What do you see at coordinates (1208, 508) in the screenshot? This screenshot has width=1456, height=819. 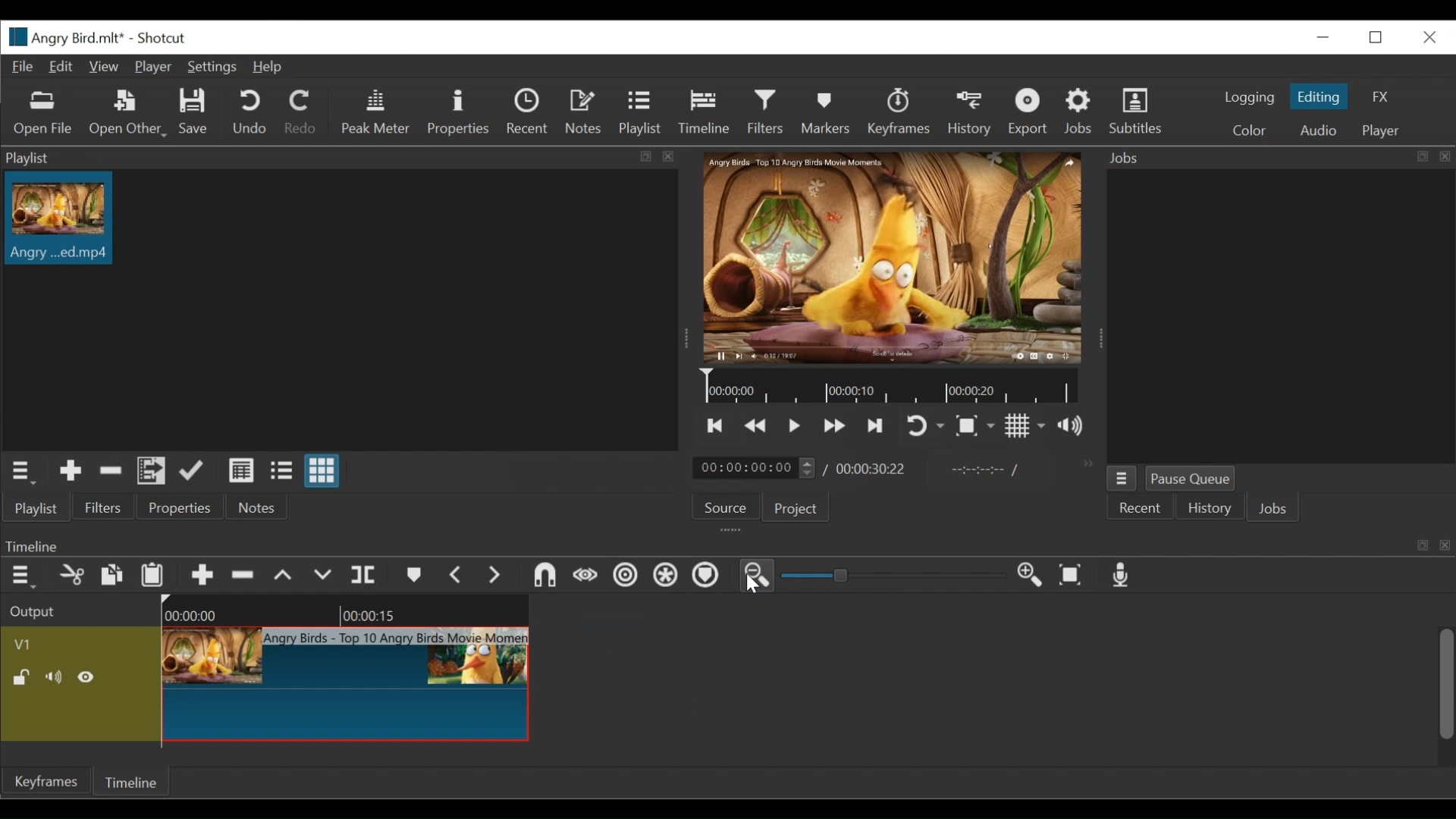 I see `History` at bounding box center [1208, 508].